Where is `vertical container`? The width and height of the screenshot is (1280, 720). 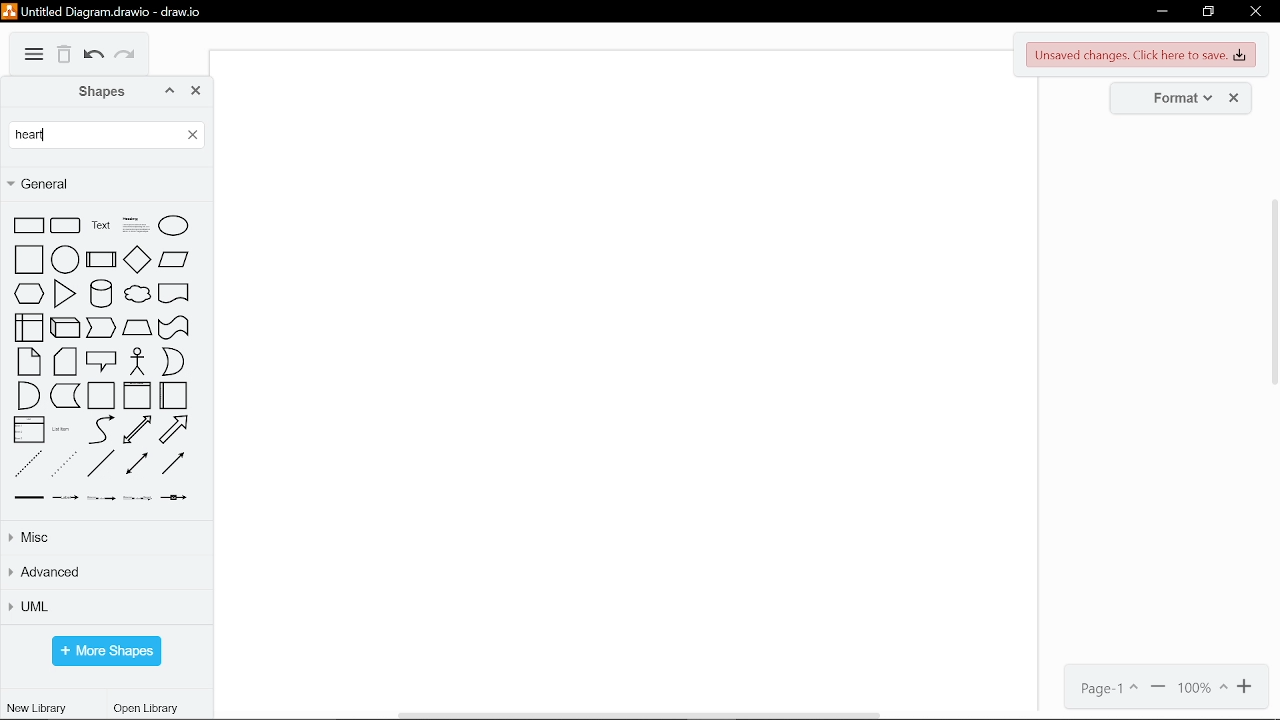 vertical container is located at coordinates (136, 397).